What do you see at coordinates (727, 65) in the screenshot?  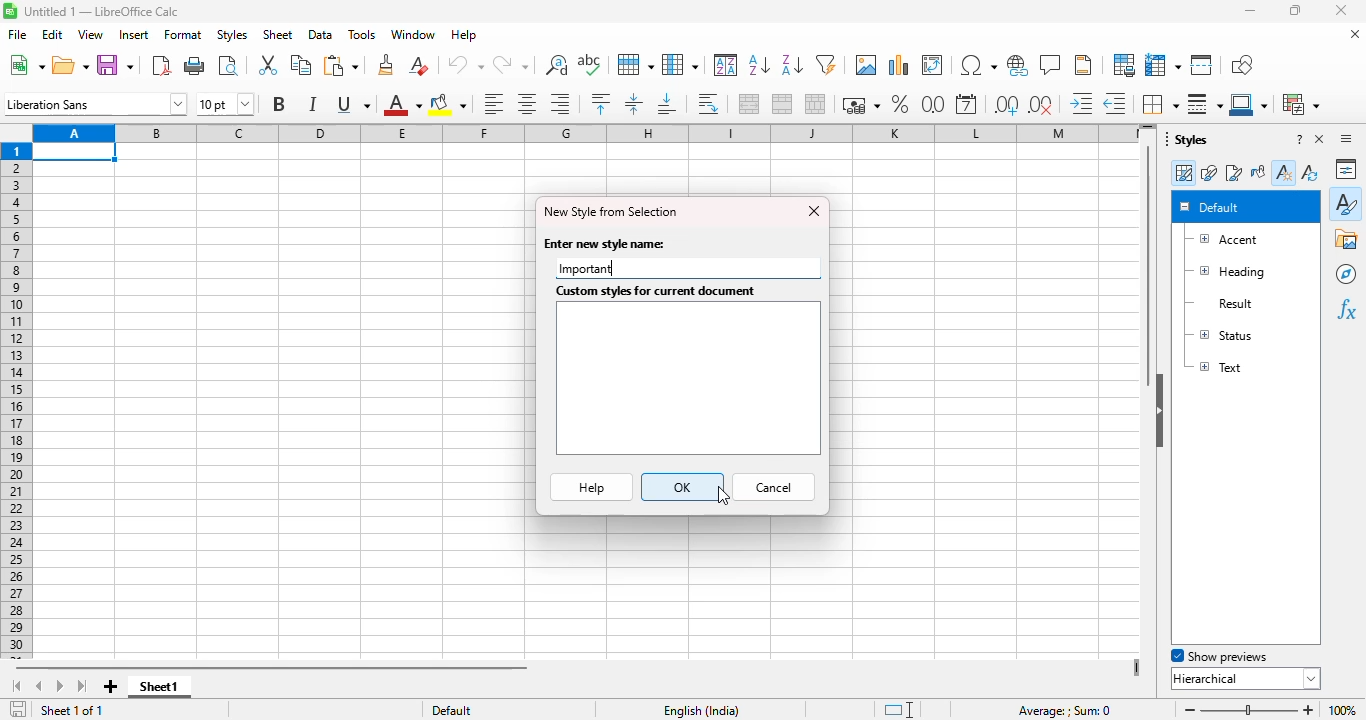 I see `sort` at bounding box center [727, 65].